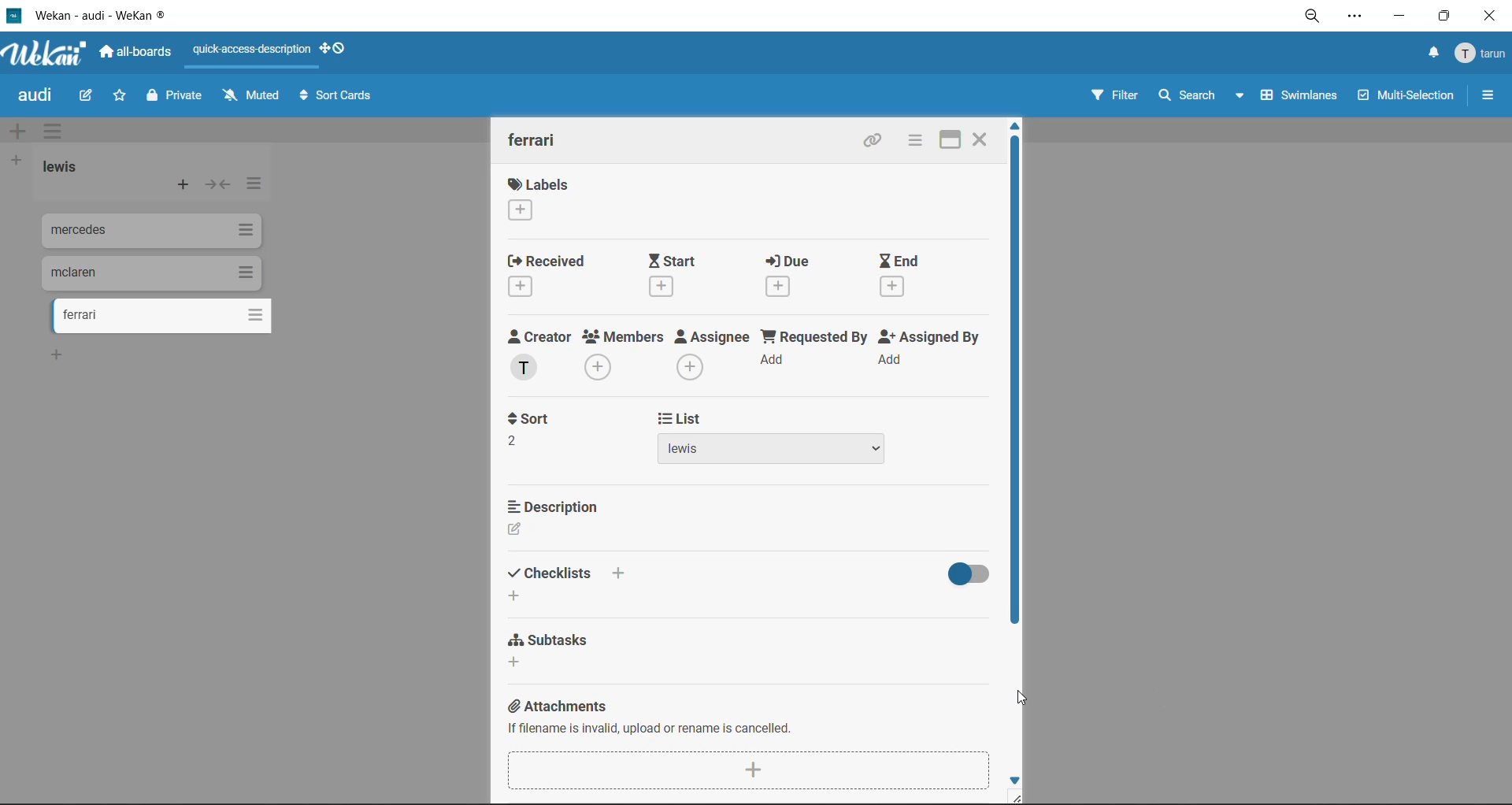  What do you see at coordinates (553, 275) in the screenshot?
I see `recieved` at bounding box center [553, 275].